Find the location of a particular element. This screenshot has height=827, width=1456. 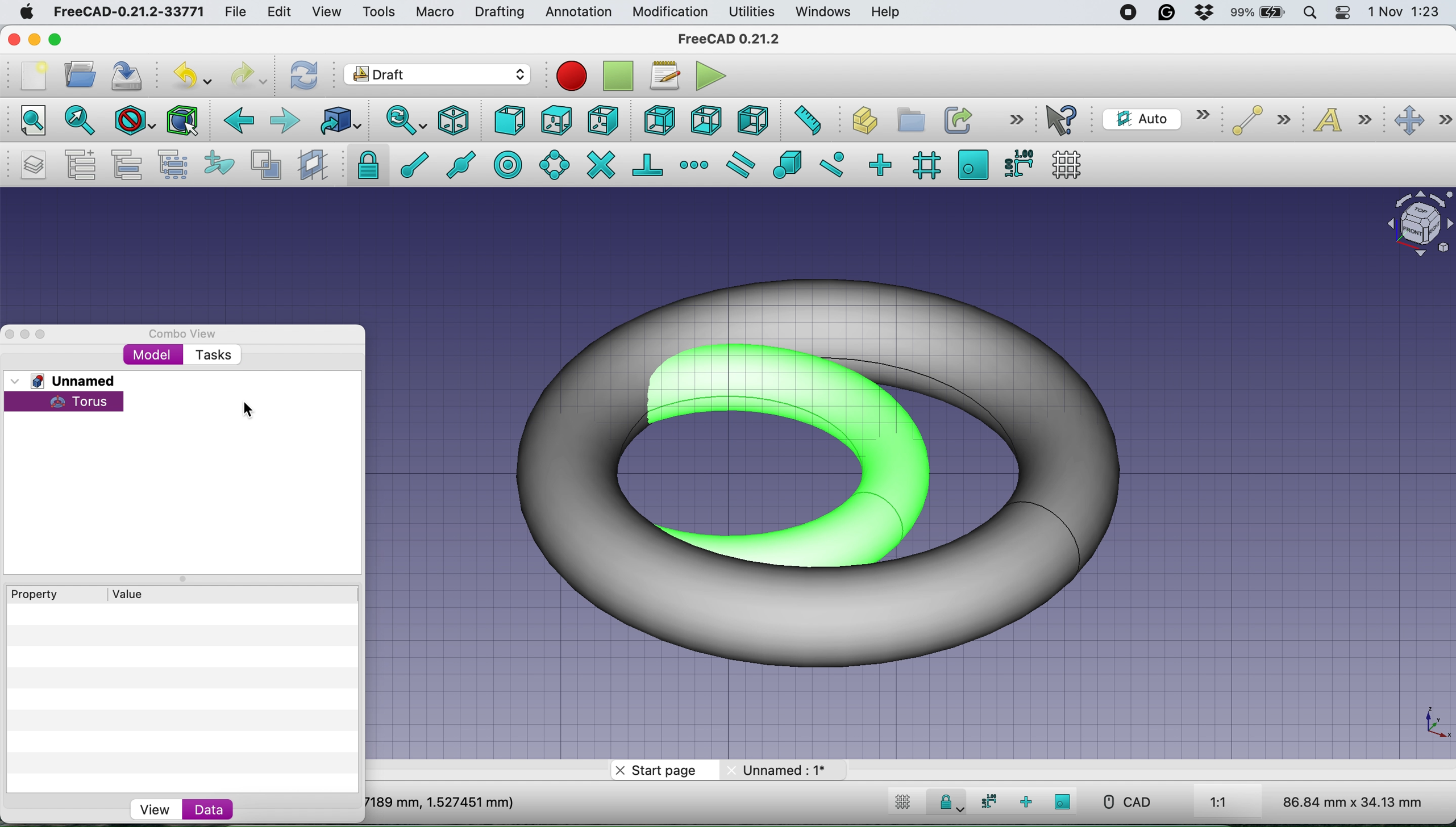

Toggle Overlay is located at coordinates (47, 335).